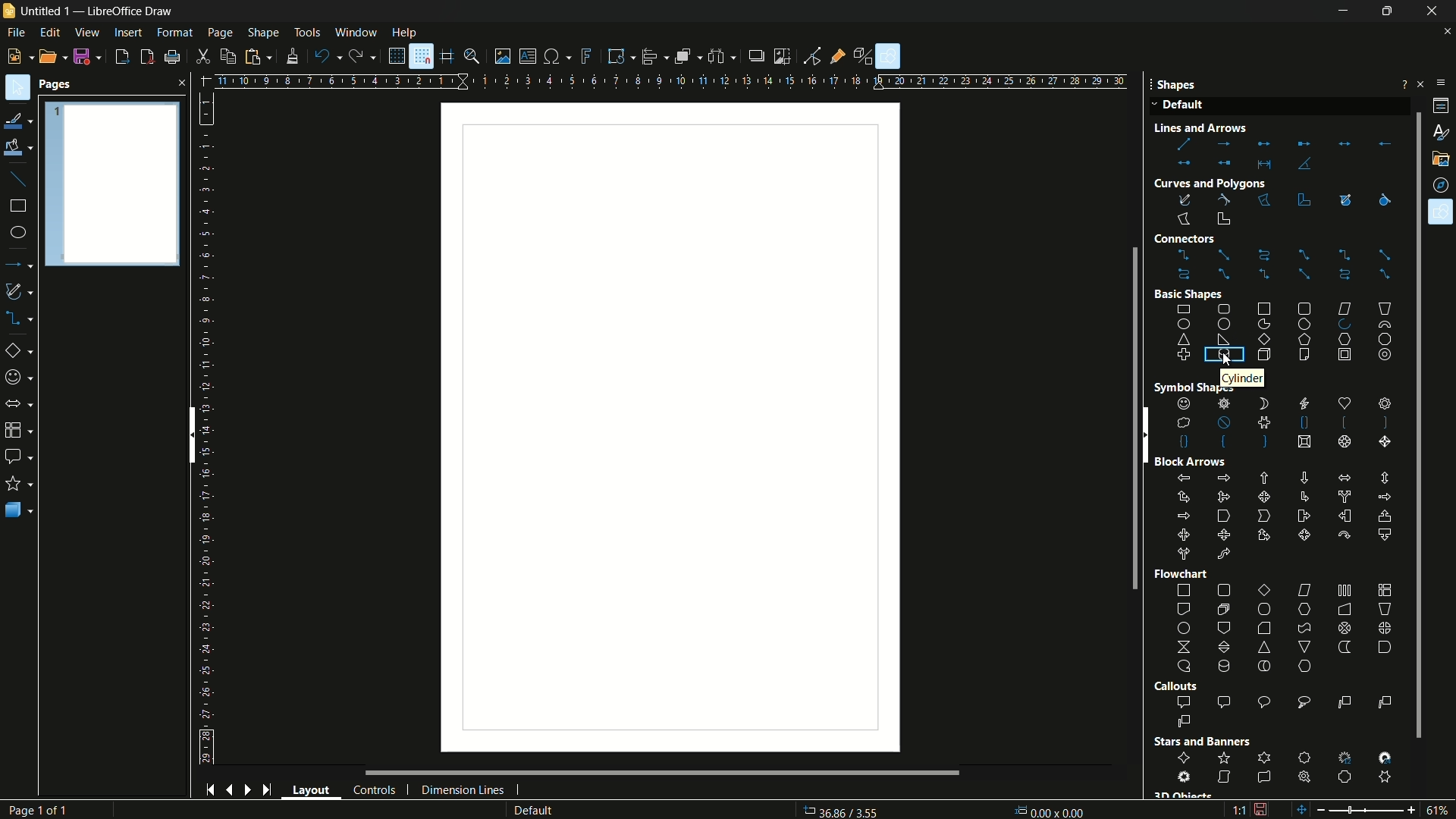 Image resolution: width=1456 pixels, height=819 pixels. I want to click on Stars, so click(1207, 742).